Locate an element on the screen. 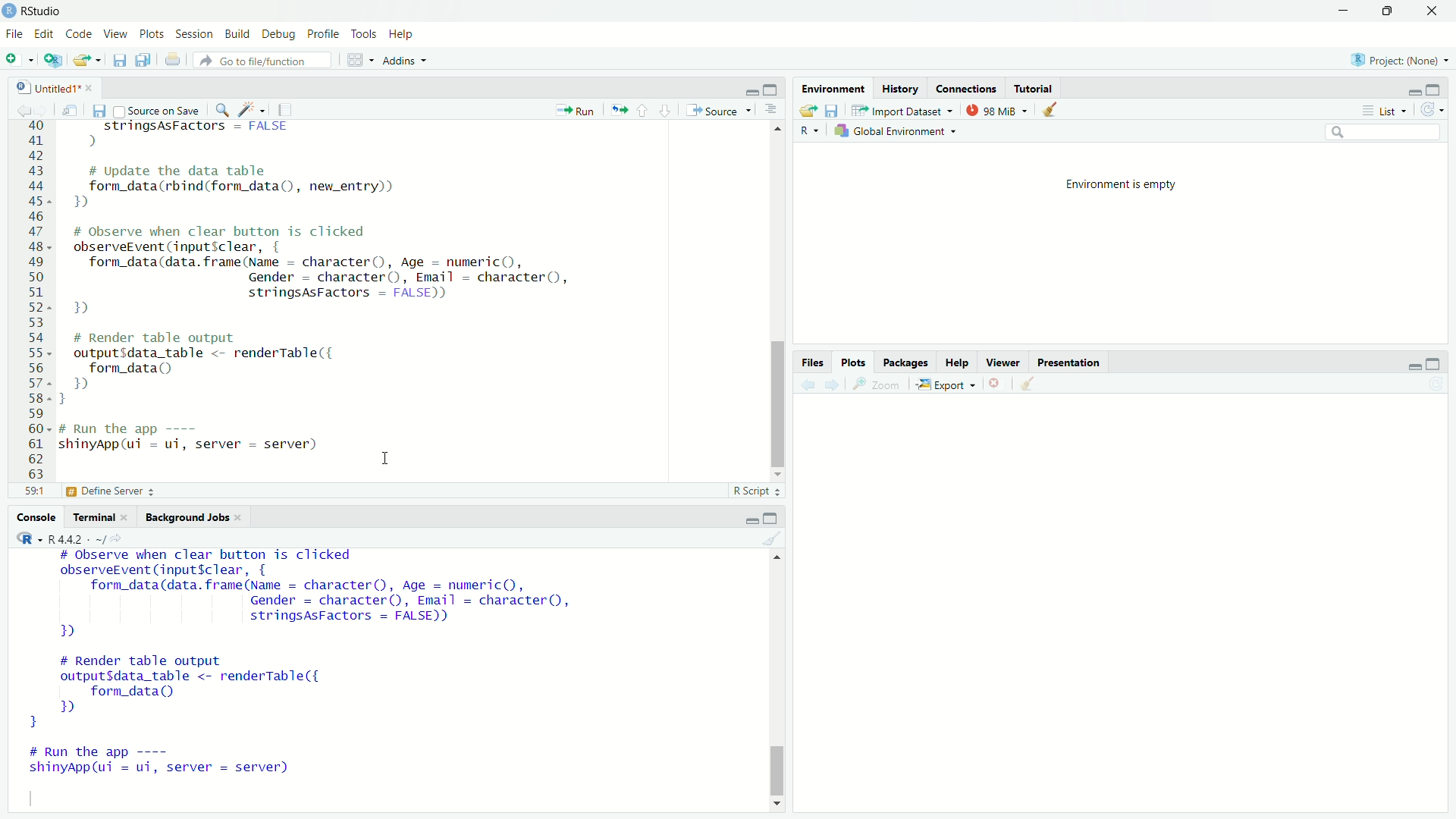 Image resolution: width=1456 pixels, height=819 pixels. R 4.4.2 . ~/ is located at coordinates (77, 538).